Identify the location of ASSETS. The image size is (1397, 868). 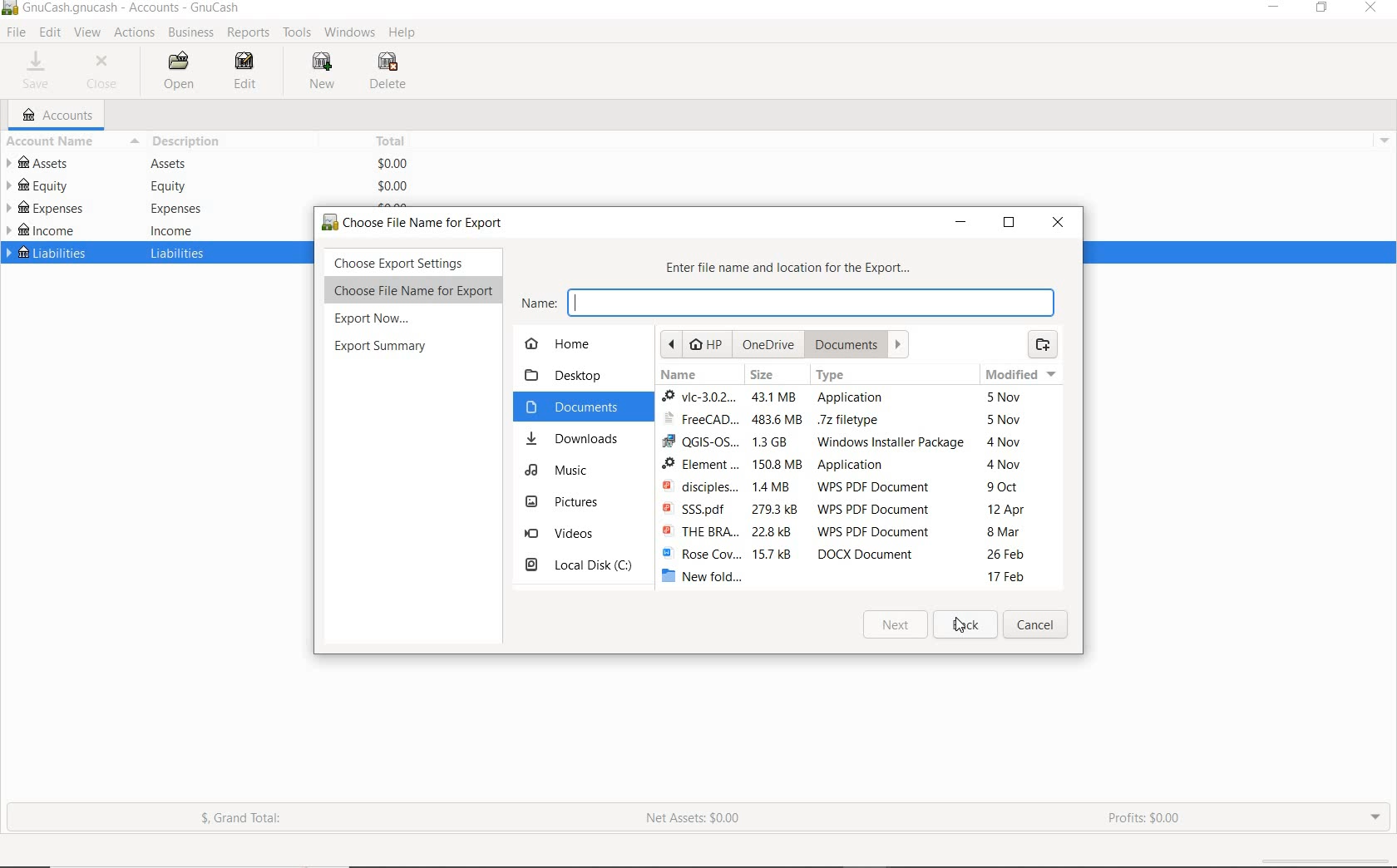
(42, 162).